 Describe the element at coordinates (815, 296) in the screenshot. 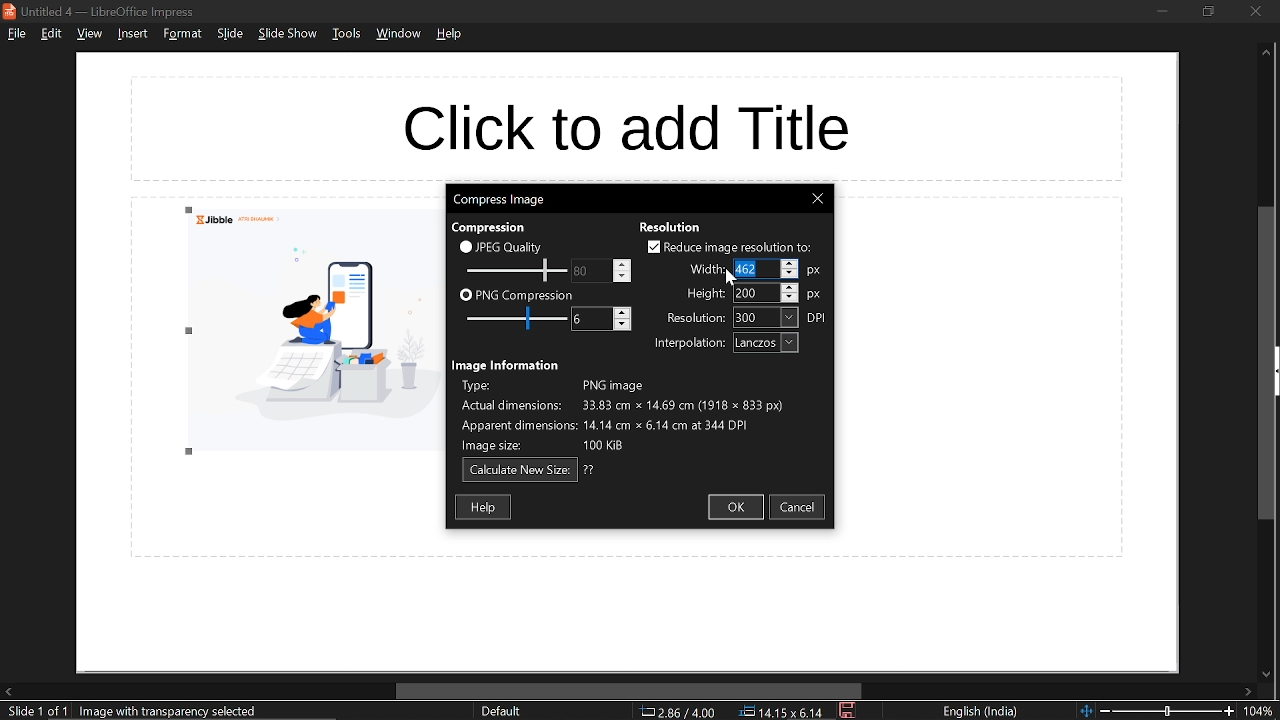

I see `height unit: px` at that location.